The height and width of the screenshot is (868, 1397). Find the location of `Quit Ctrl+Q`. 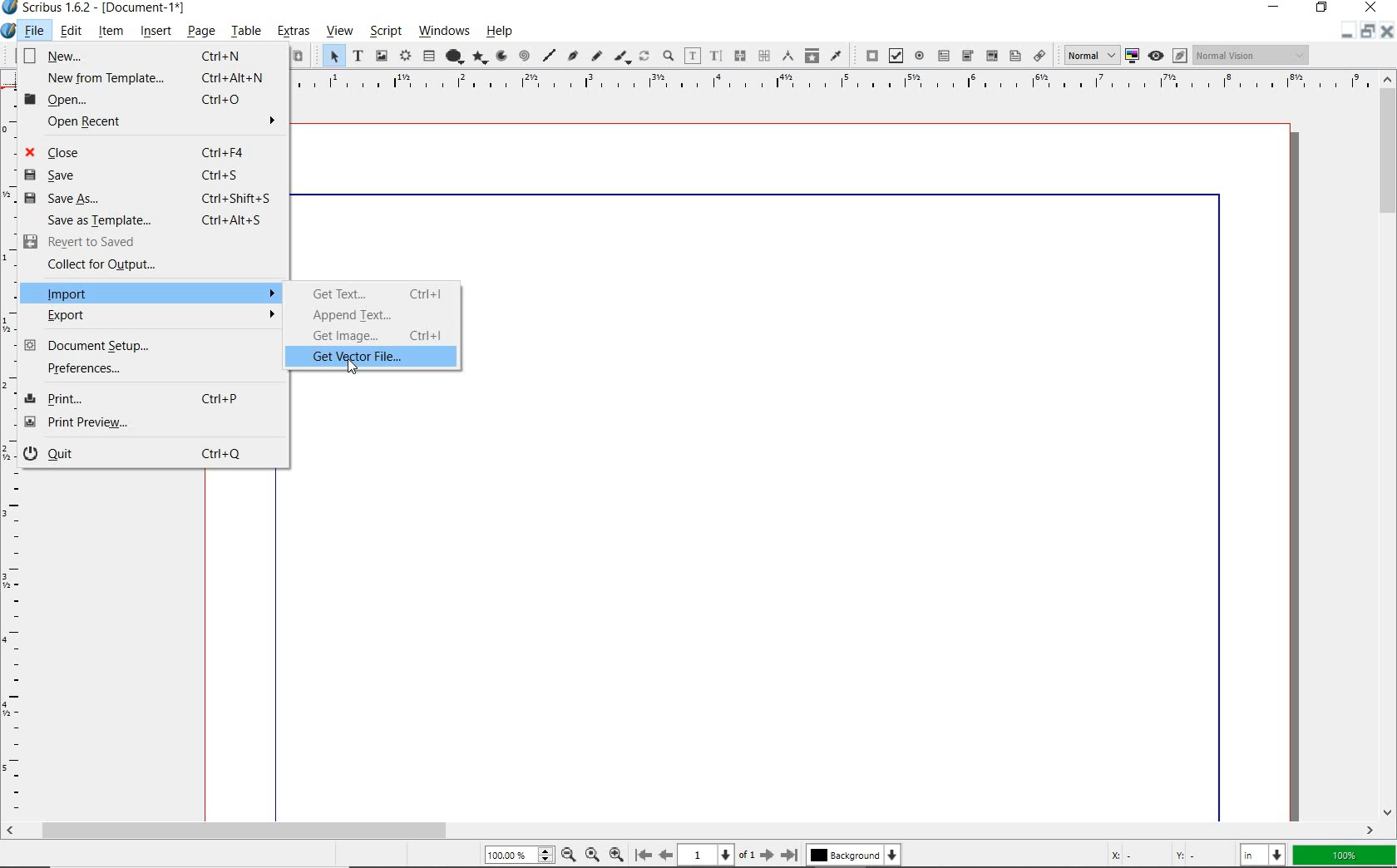

Quit Ctrl+Q is located at coordinates (152, 455).